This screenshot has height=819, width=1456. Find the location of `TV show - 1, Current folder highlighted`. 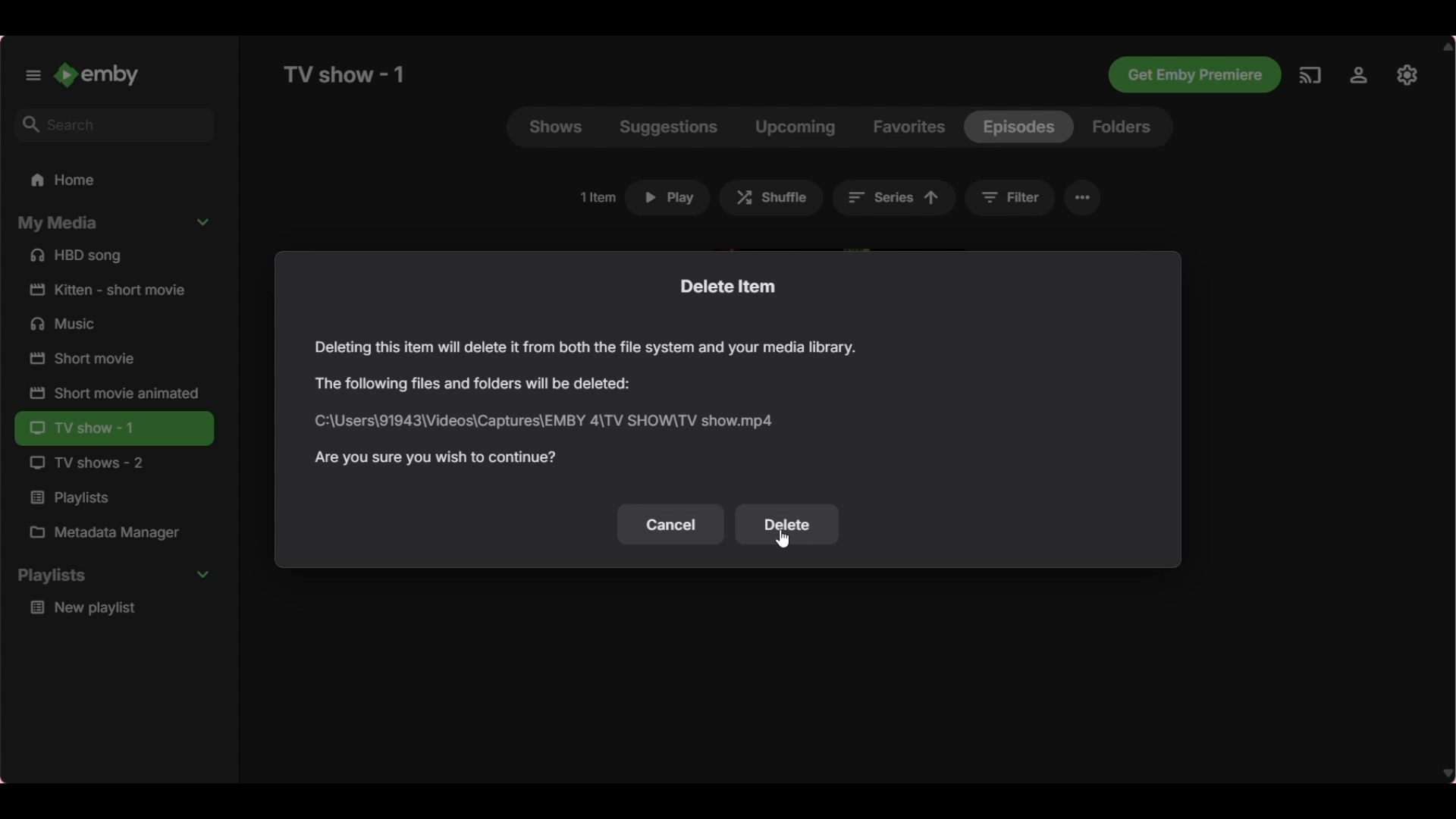

TV show - 1, Current folder highlighted is located at coordinates (114, 429).